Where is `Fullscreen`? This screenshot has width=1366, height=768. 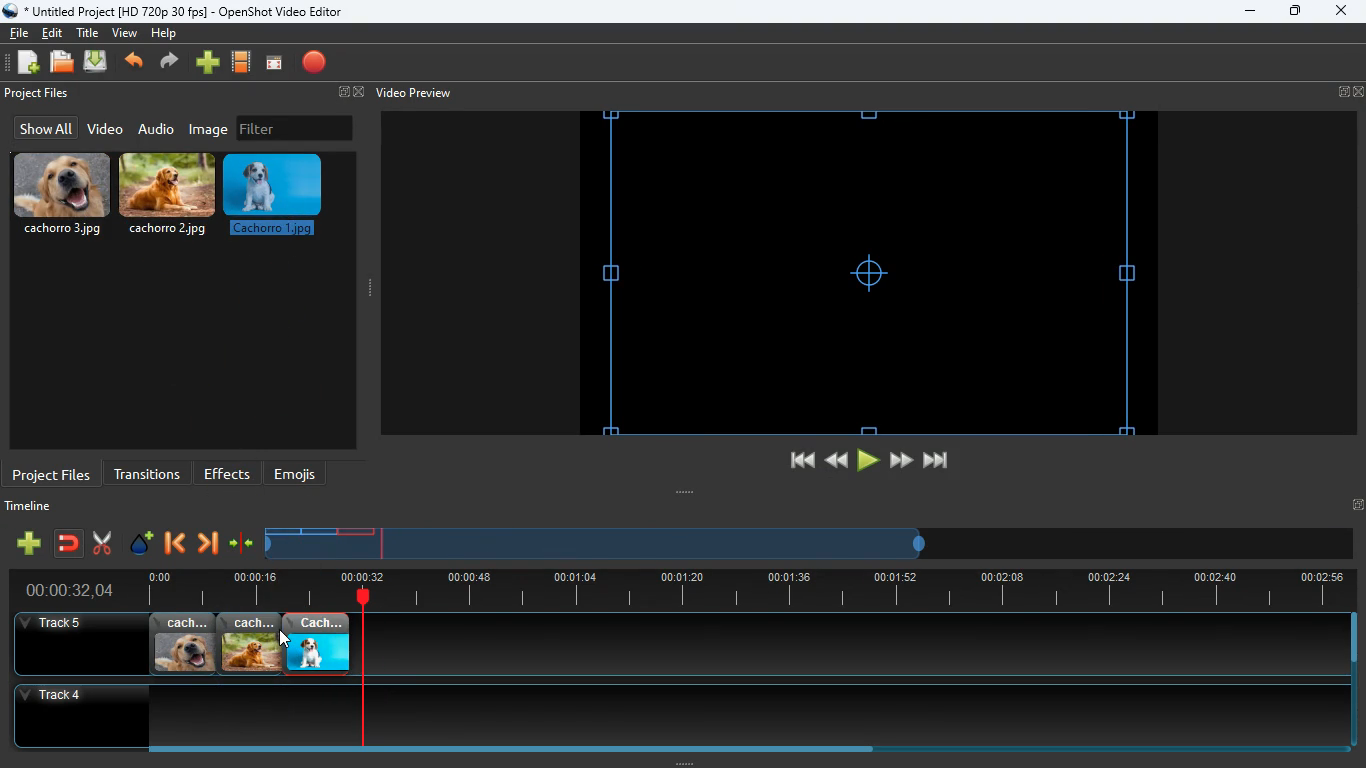 Fullscreen is located at coordinates (1357, 504).